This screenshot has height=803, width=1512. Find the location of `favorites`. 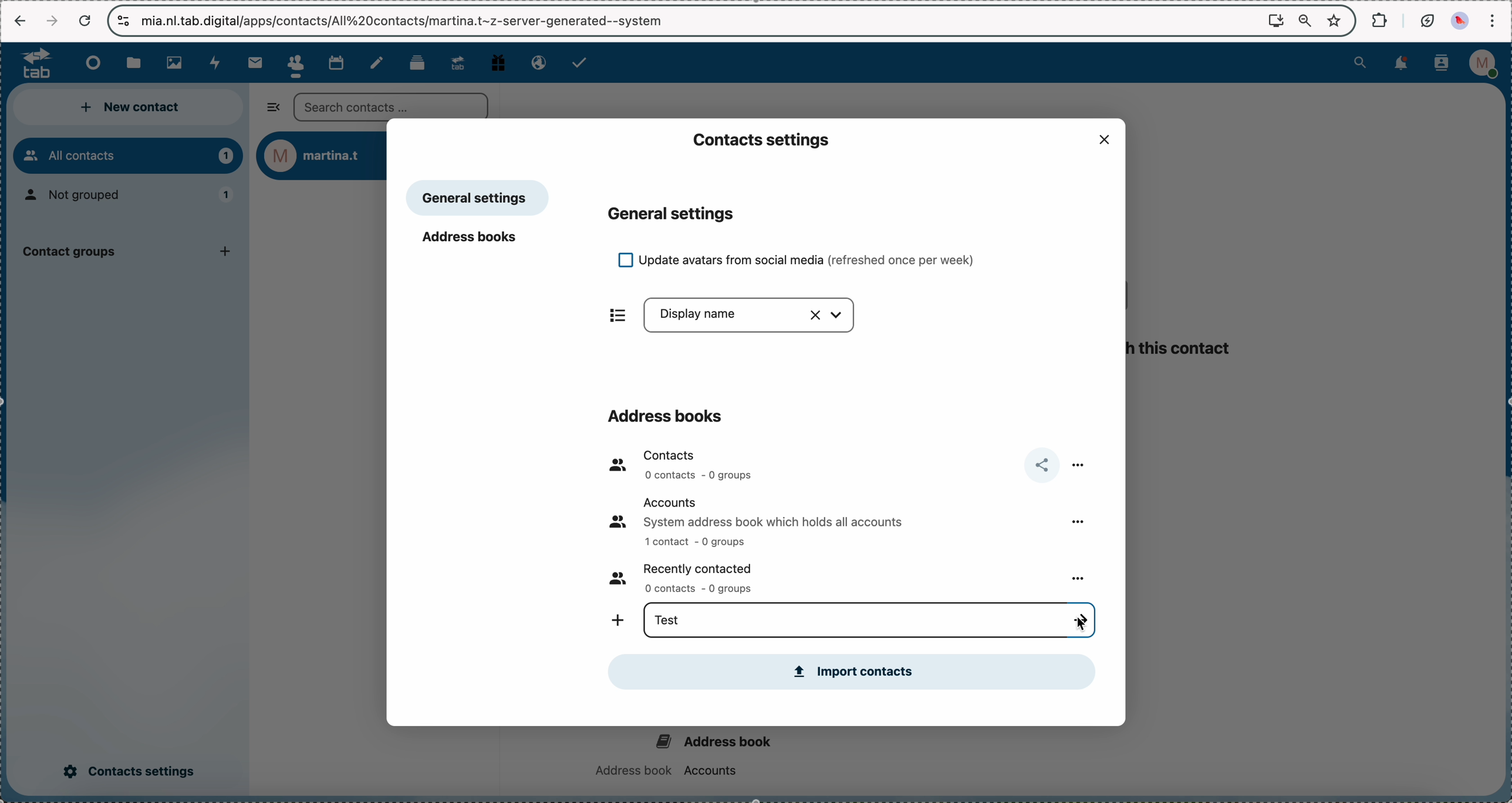

favorites is located at coordinates (1334, 21).